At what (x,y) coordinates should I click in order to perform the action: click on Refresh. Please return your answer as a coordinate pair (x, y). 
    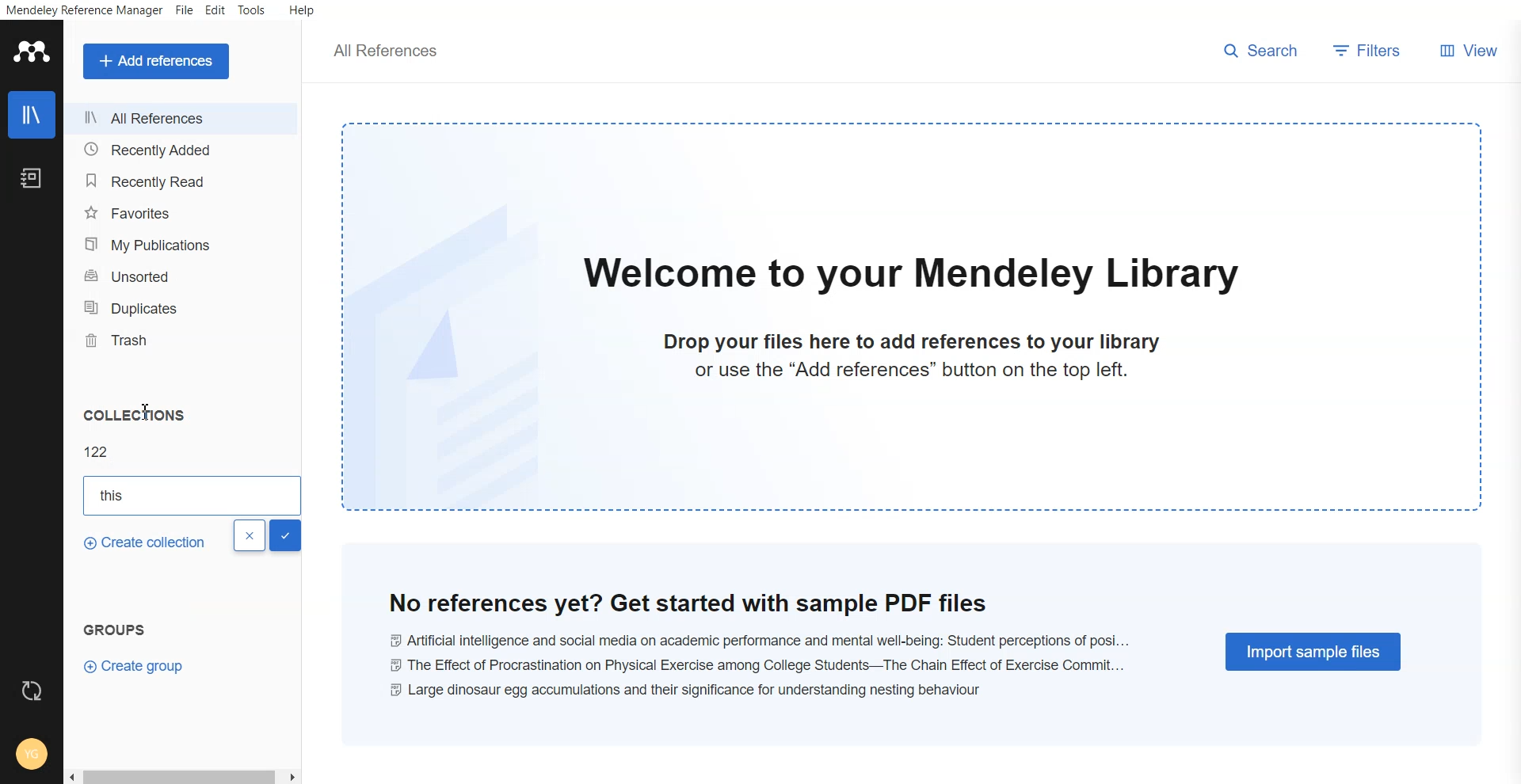
    Looking at the image, I should click on (31, 690).